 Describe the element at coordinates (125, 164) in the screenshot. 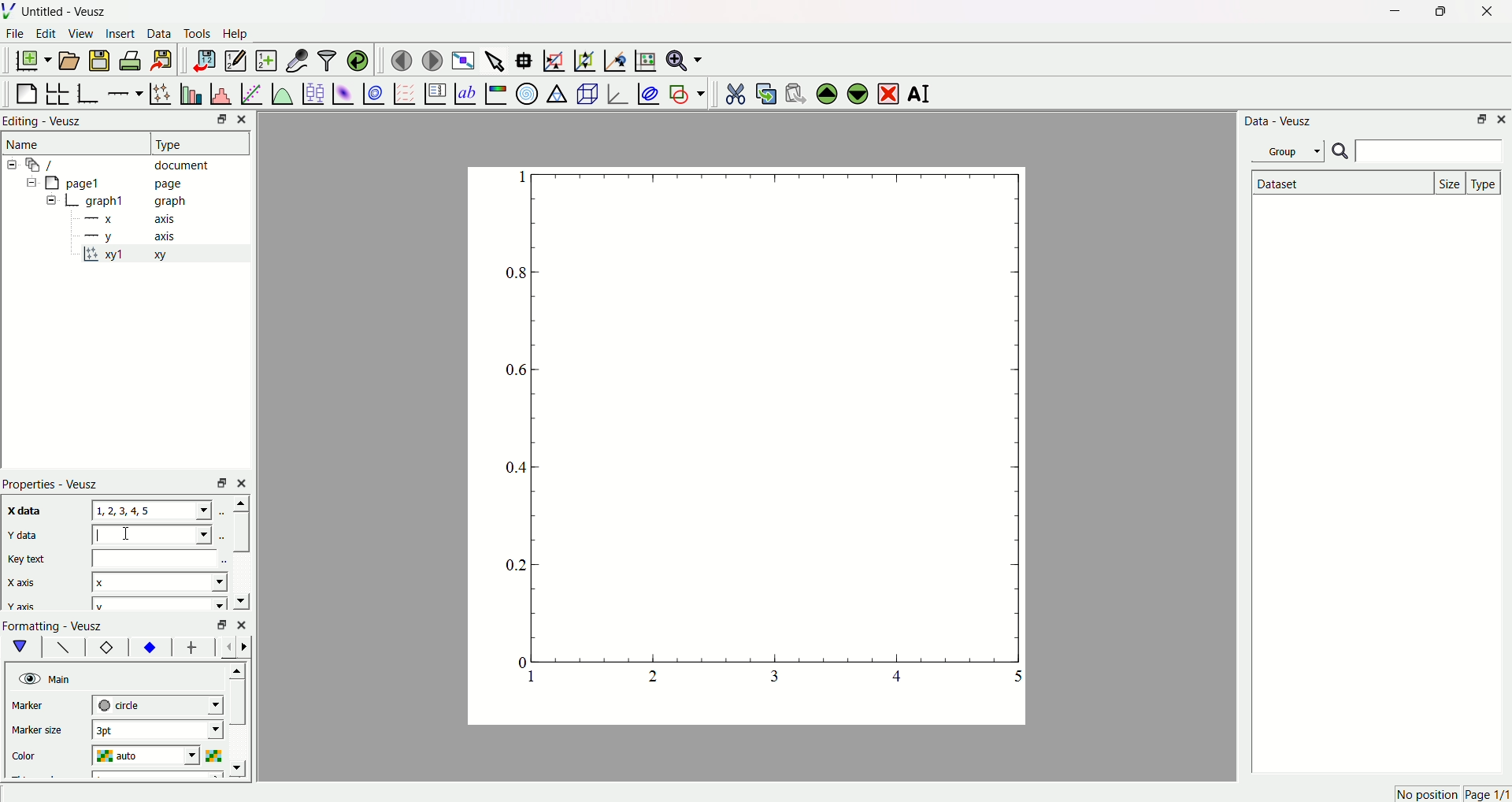

I see `“document` at that location.